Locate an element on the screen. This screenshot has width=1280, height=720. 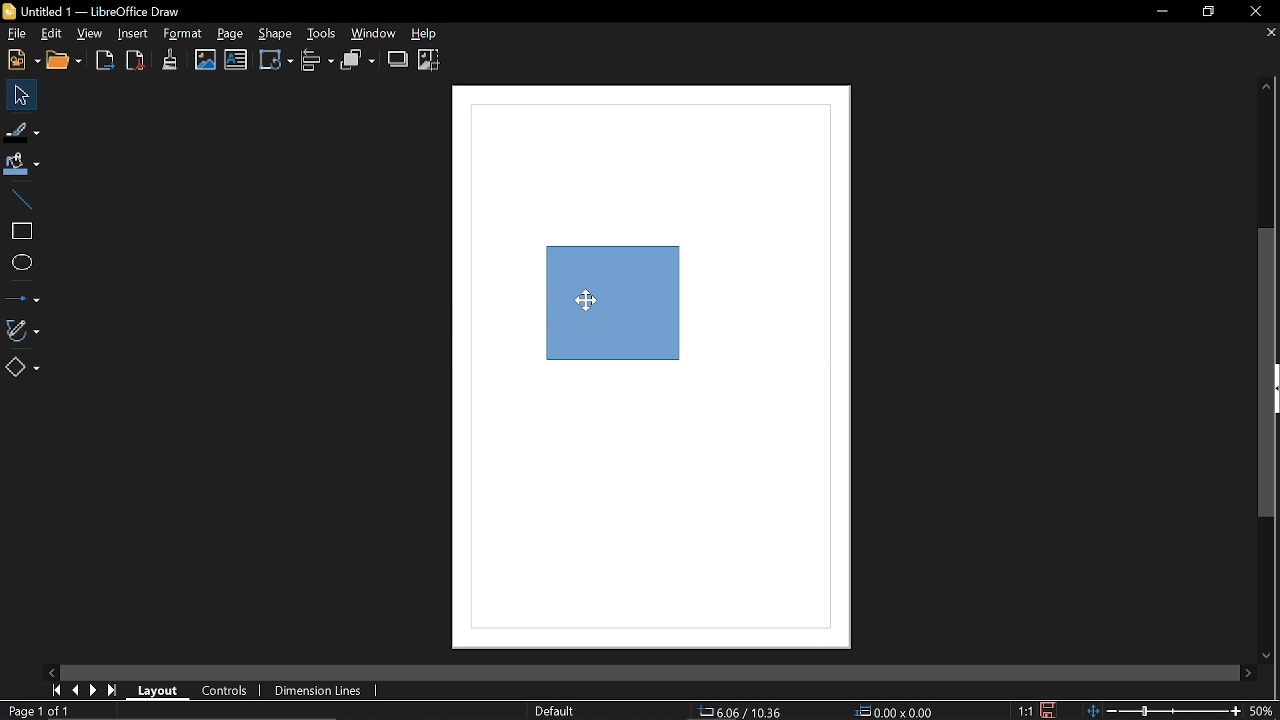
Scaling factor is located at coordinates (1026, 711).